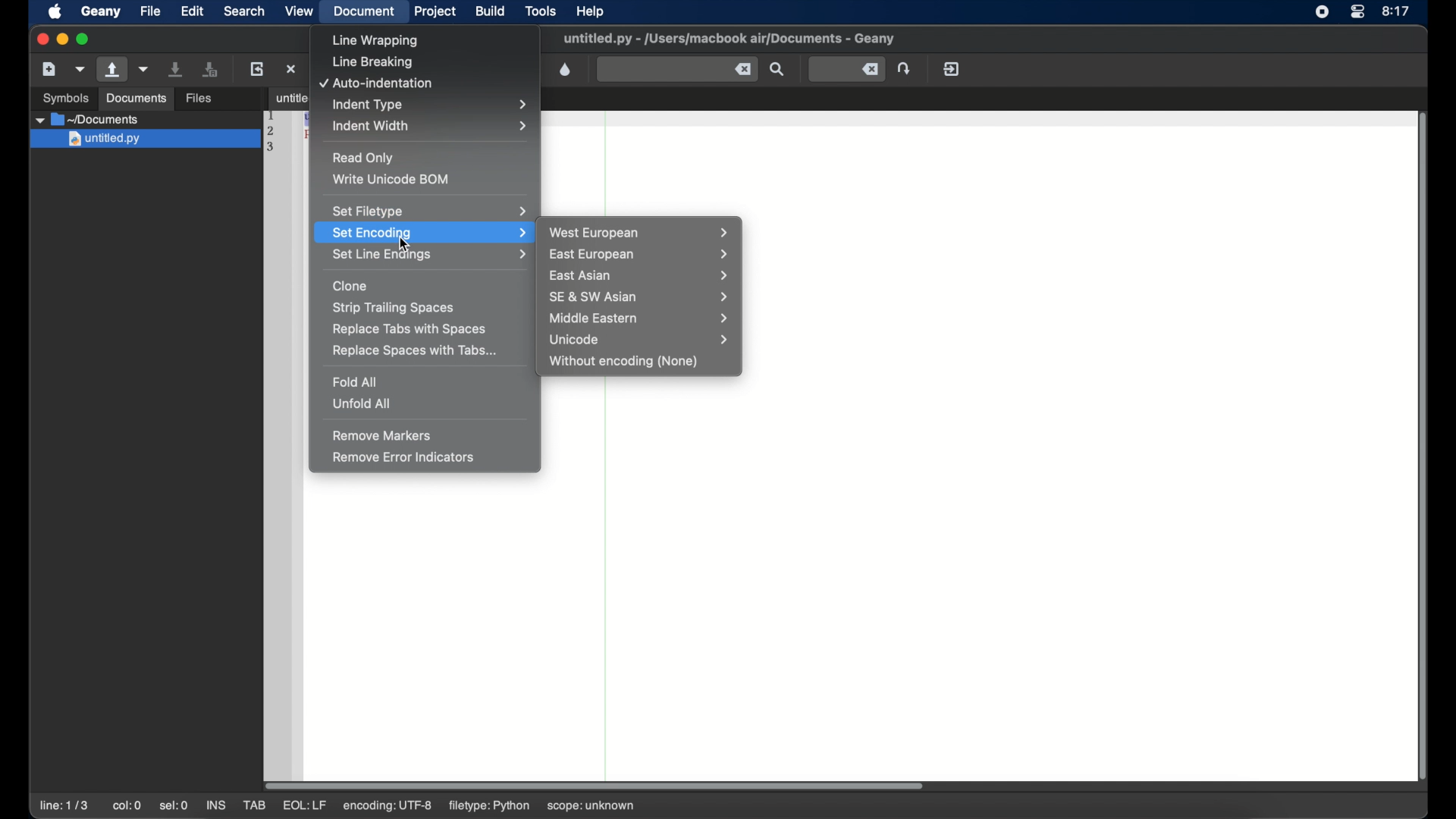 Image resolution: width=1456 pixels, height=819 pixels. I want to click on west european menu, so click(642, 233).